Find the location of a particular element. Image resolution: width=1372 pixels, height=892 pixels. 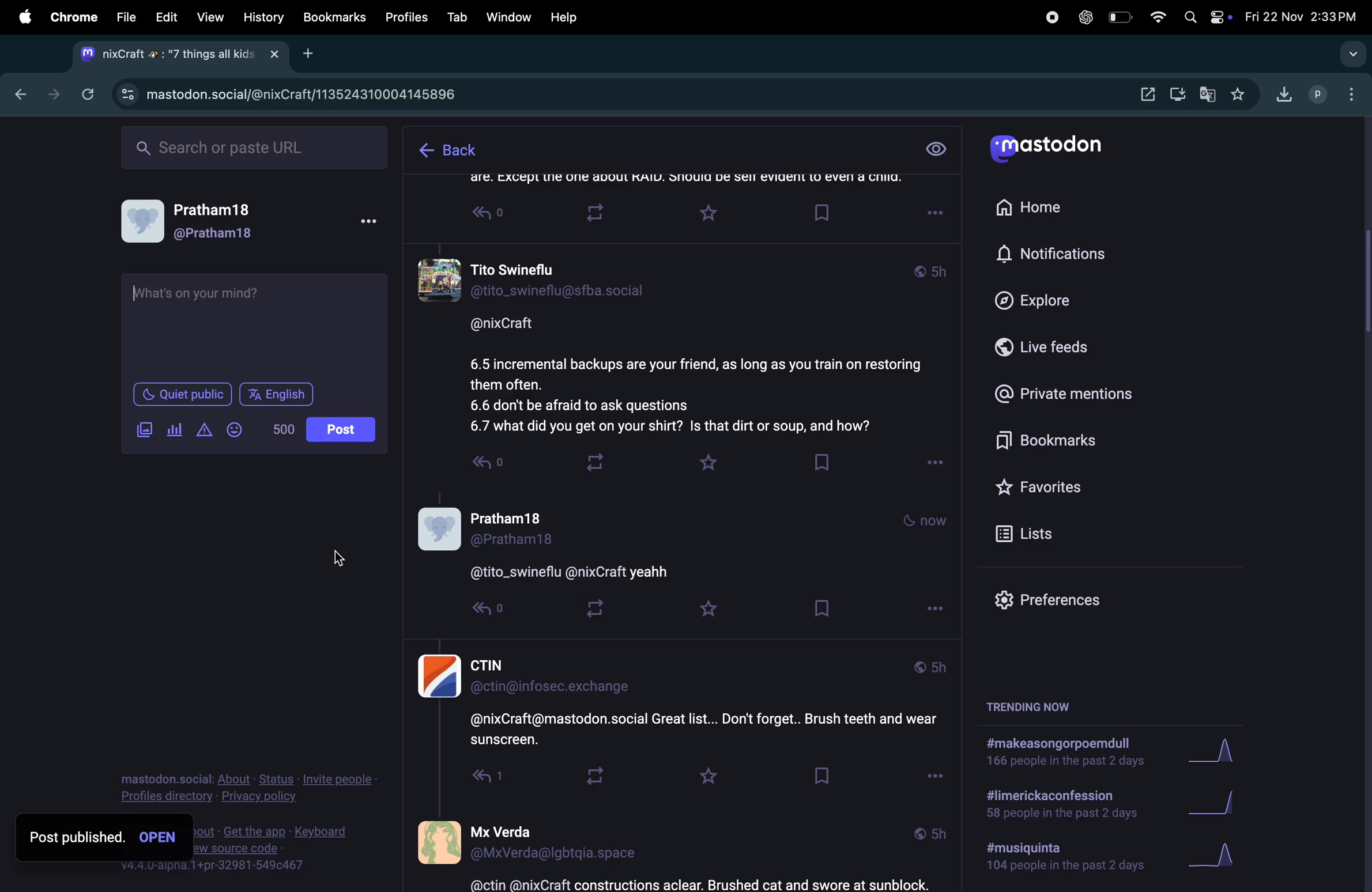

options is located at coordinates (932, 466).